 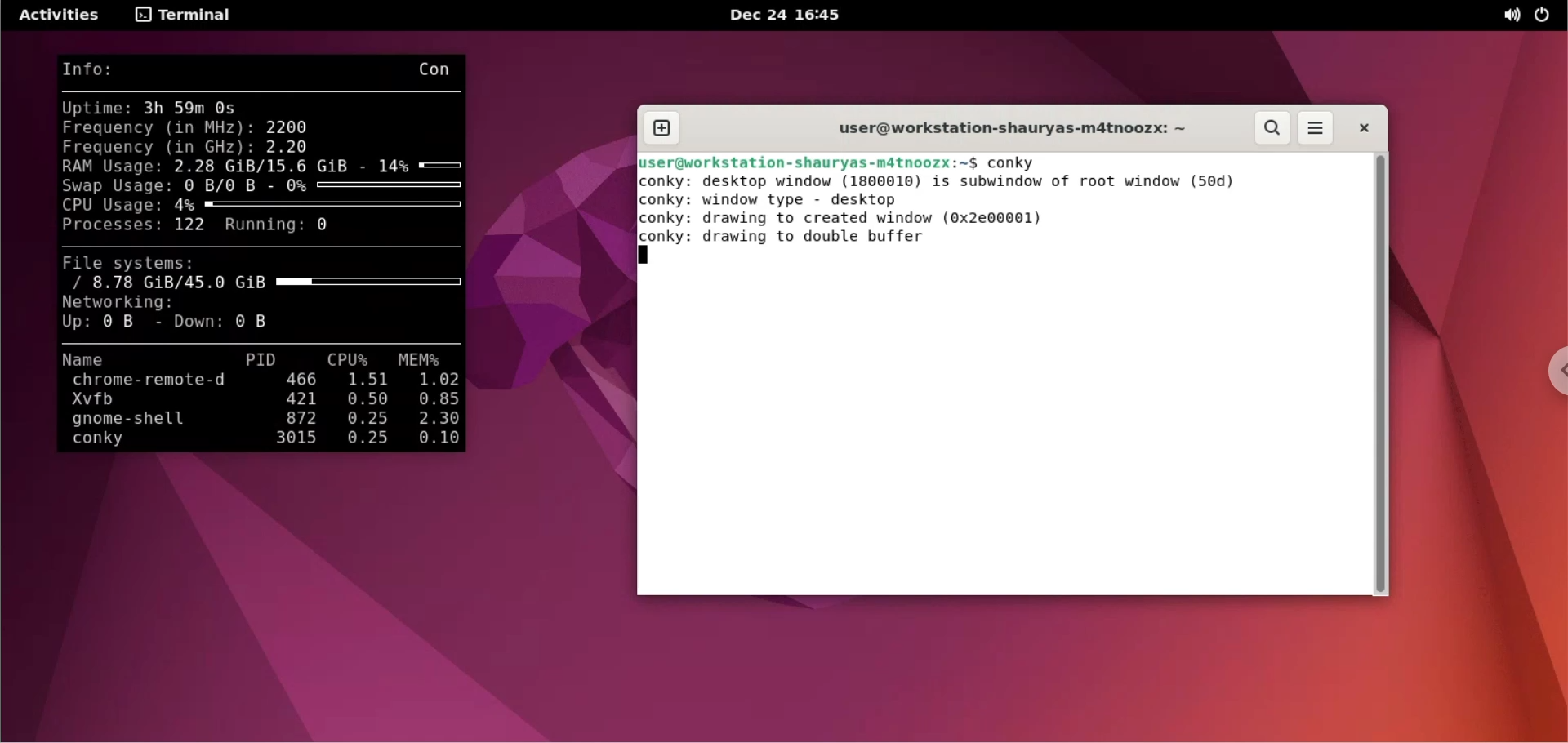 I want to click on new window, so click(x=669, y=128).